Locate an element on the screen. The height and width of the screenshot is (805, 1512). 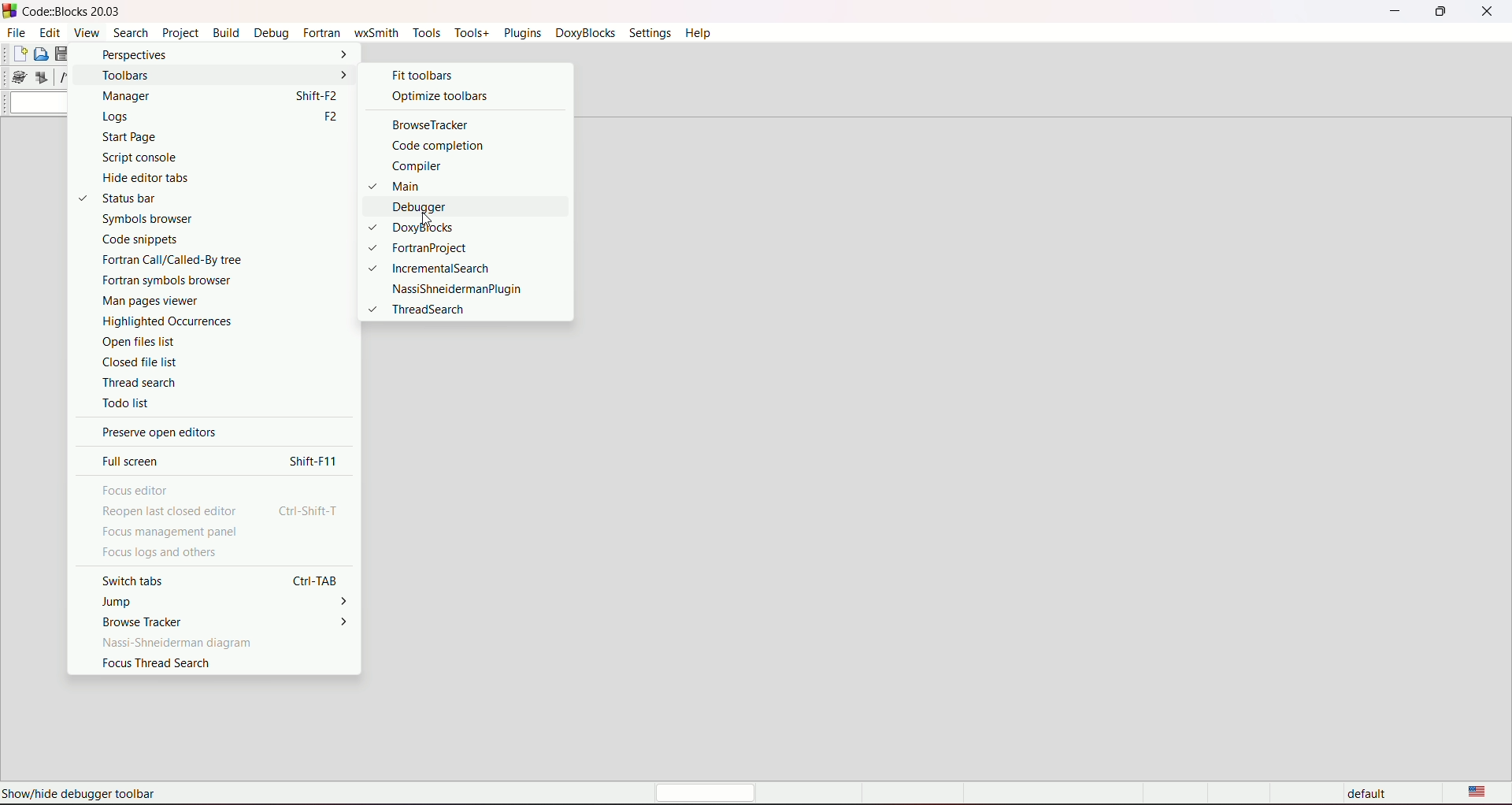
reopen last closed editor is located at coordinates (172, 512).